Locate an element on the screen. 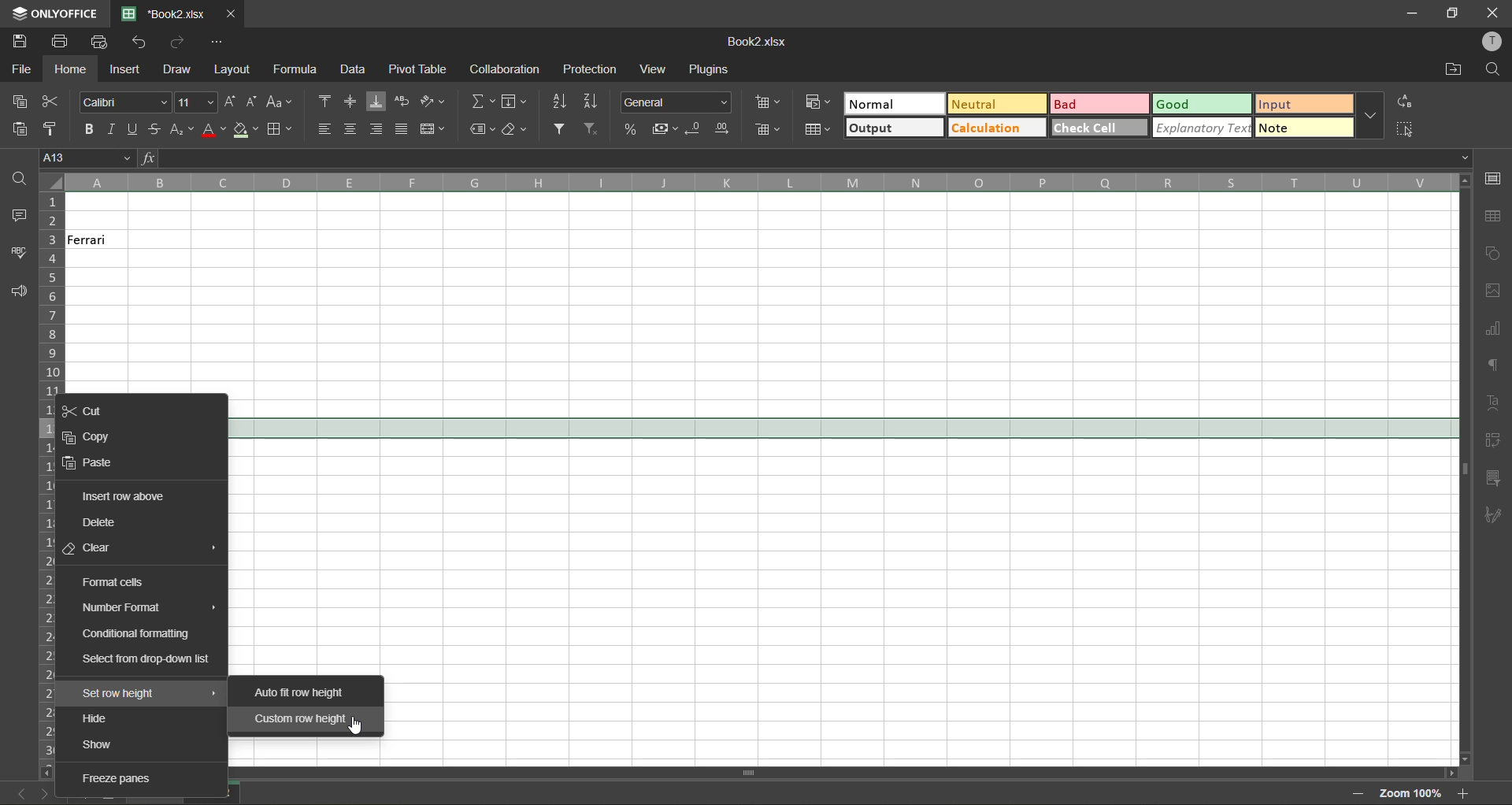 This screenshot has width=1512, height=805. decrement size is located at coordinates (253, 102).